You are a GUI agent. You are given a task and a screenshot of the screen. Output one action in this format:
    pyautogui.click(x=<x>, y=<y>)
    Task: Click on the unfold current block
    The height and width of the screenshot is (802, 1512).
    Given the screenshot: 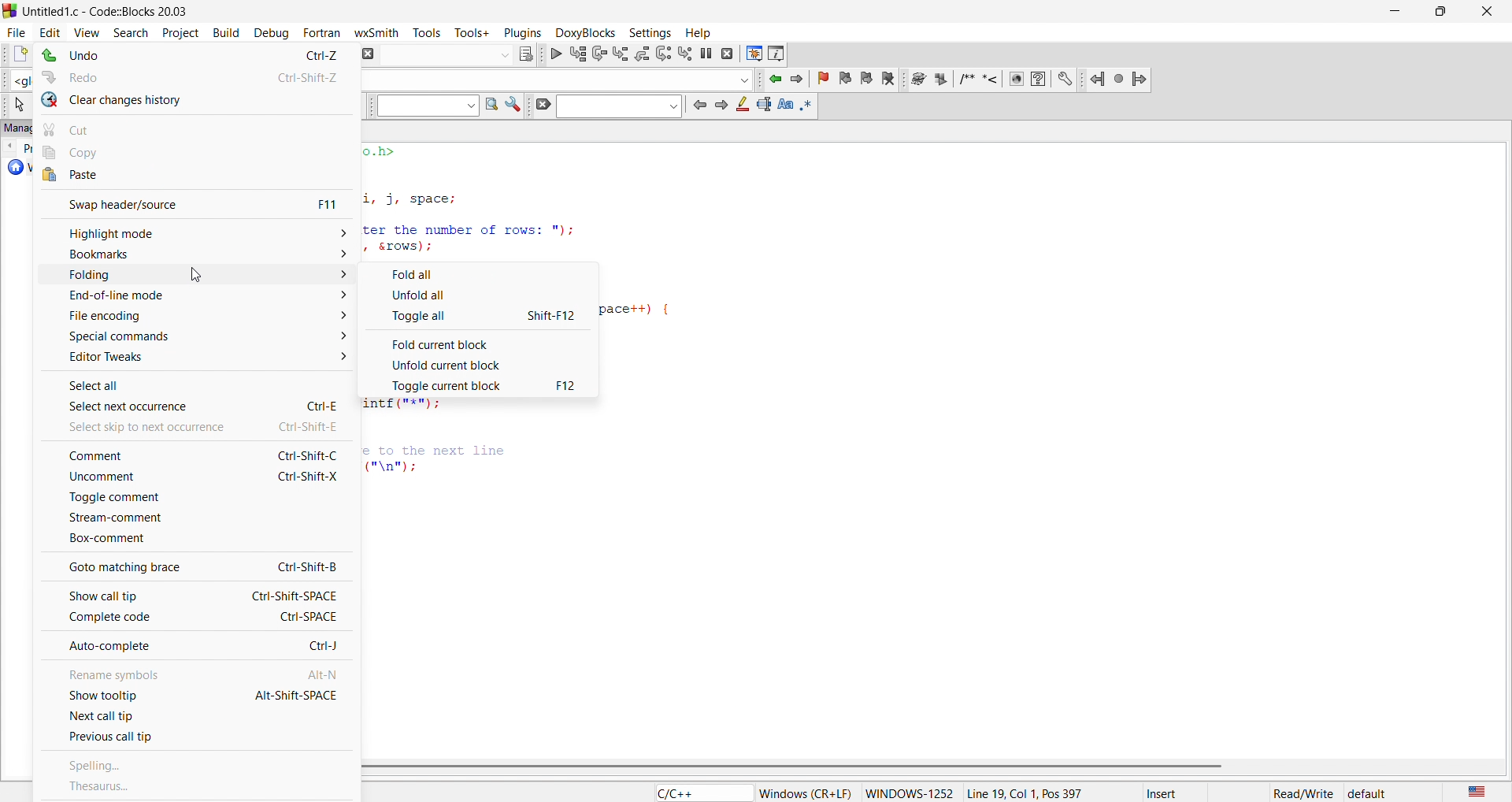 What is the action you would take?
    pyautogui.click(x=480, y=364)
    